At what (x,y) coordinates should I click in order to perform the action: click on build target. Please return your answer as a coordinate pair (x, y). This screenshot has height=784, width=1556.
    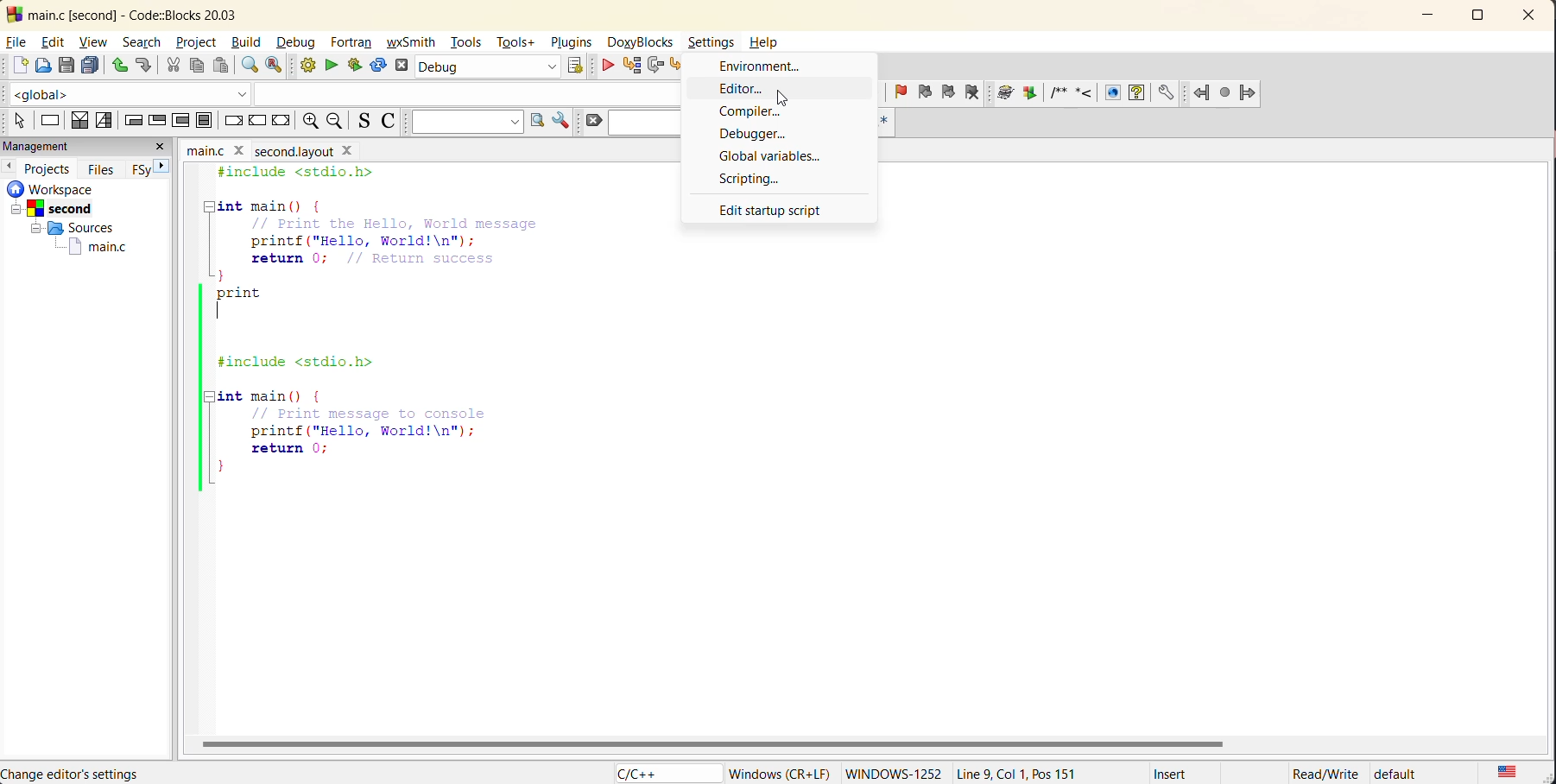
    Looking at the image, I should click on (489, 68).